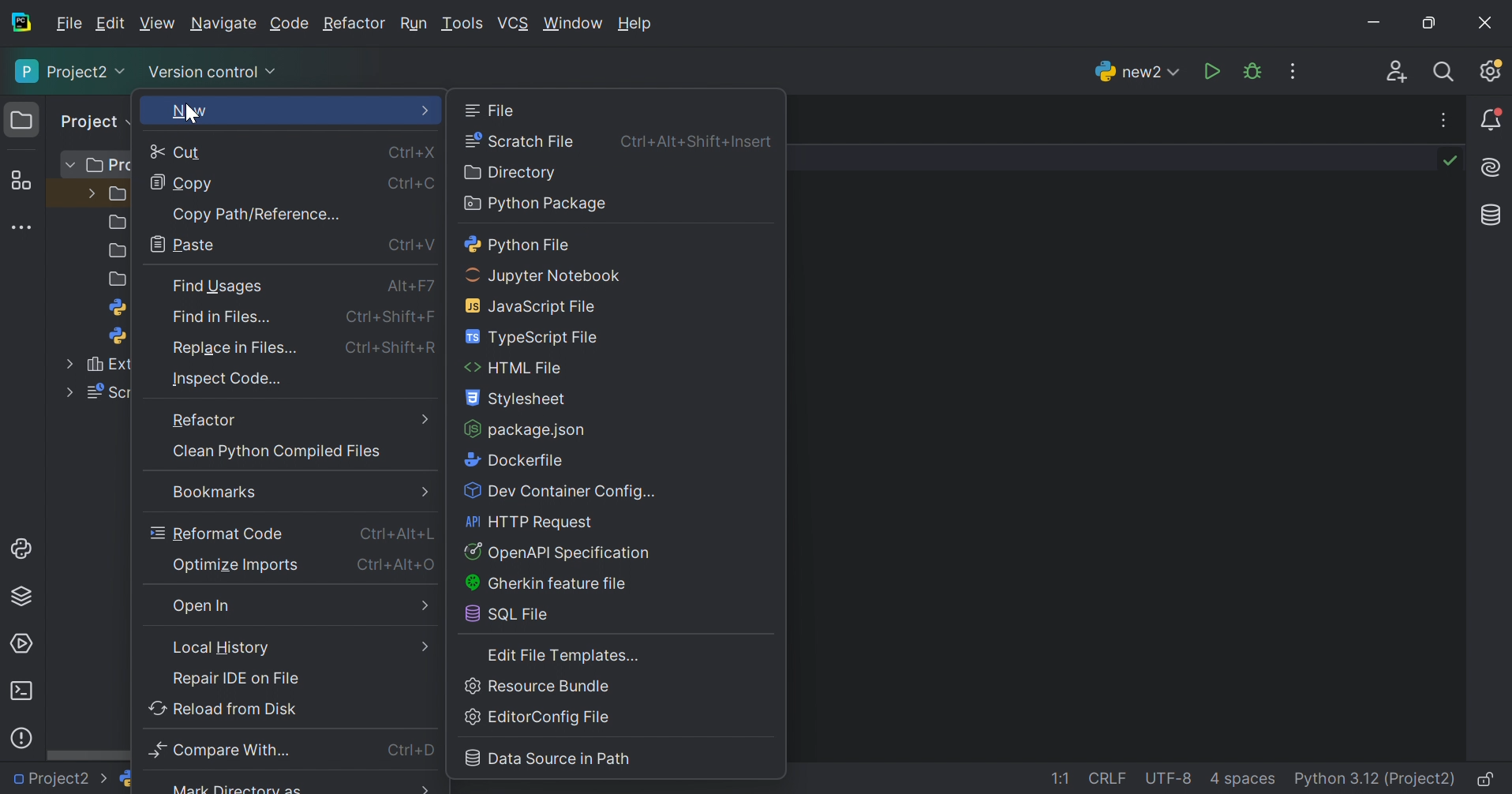 The width and height of the screenshot is (1512, 794). Describe the element at coordinates (428, 607) in the screenshot. I see `More` at that location.